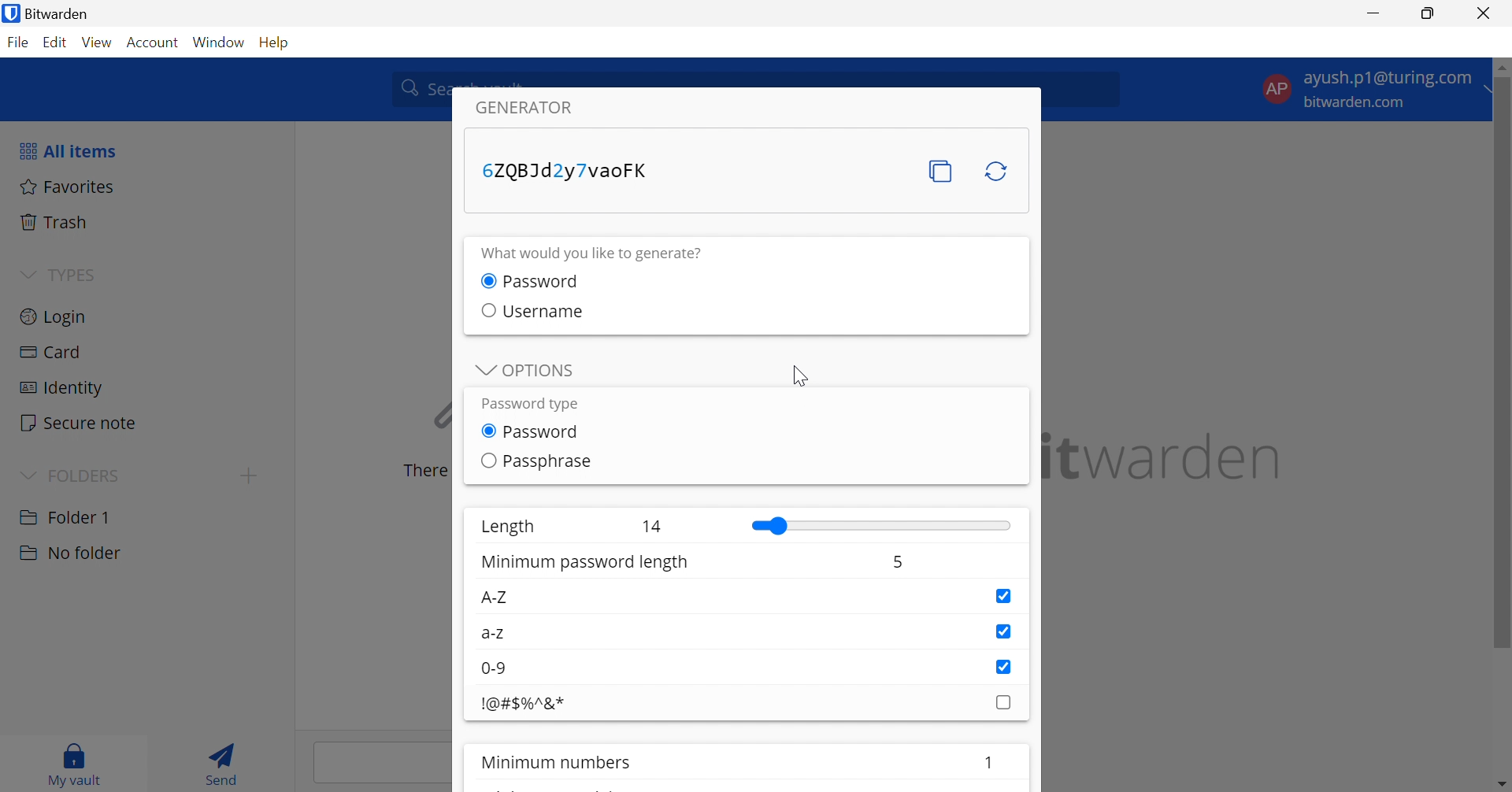 The image size is (1512, 792). Describe the element at coordinates (1503, 366) in the screenshot. I see `scrollbar` at that location.